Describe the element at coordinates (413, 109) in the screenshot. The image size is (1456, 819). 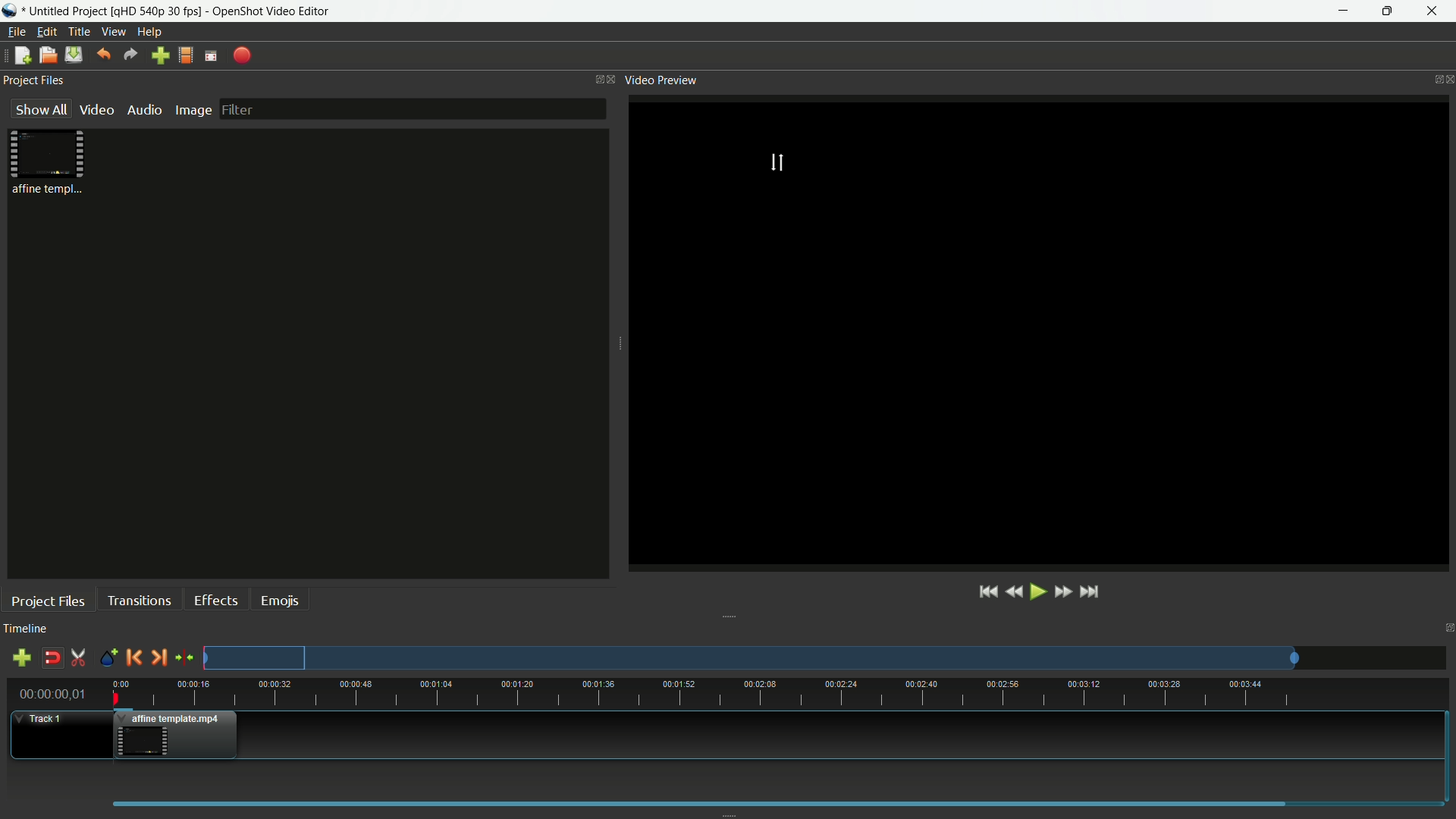
I see `filter bar` at that location.